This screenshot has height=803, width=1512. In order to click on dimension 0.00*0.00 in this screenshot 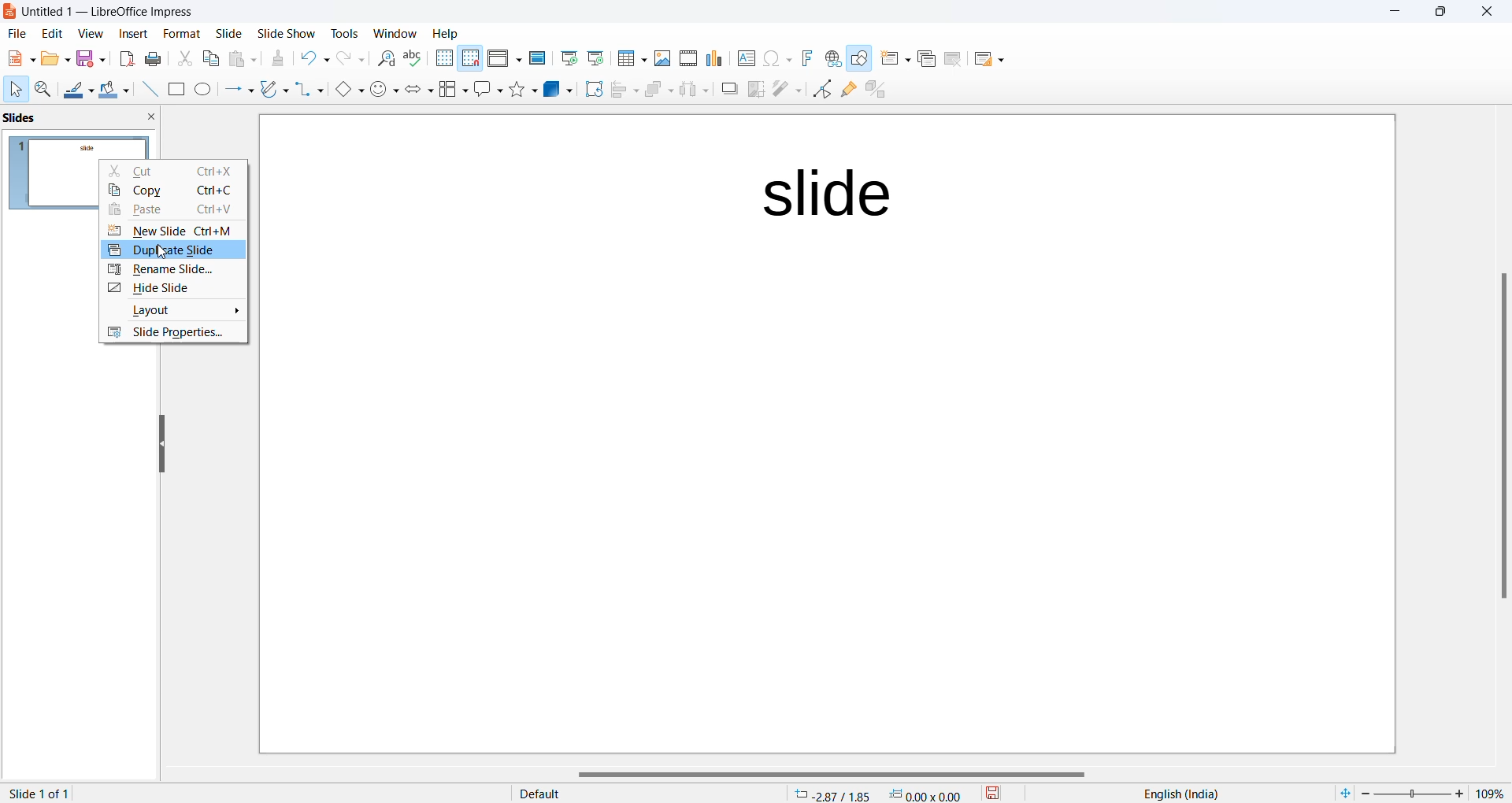, I will do `click(929, 794)`.